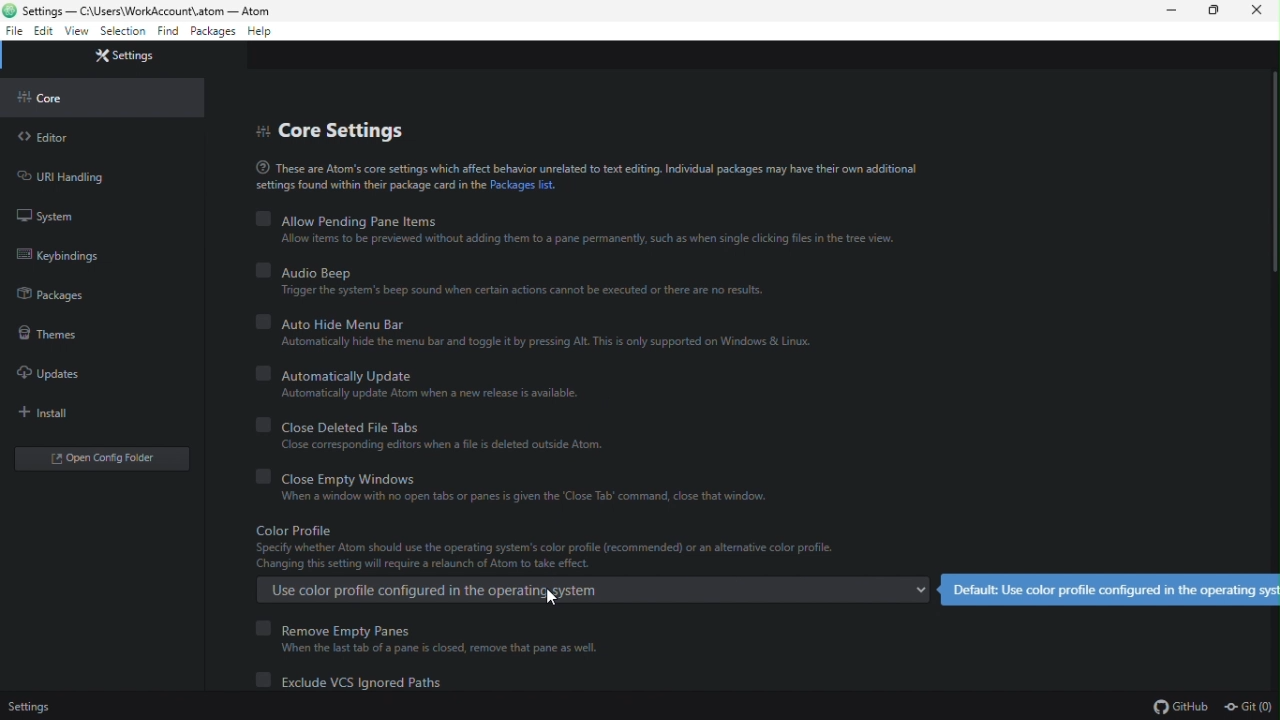 The width and height of the screenshot is (1280, 720). I want to click on selection, so click(123, 33).